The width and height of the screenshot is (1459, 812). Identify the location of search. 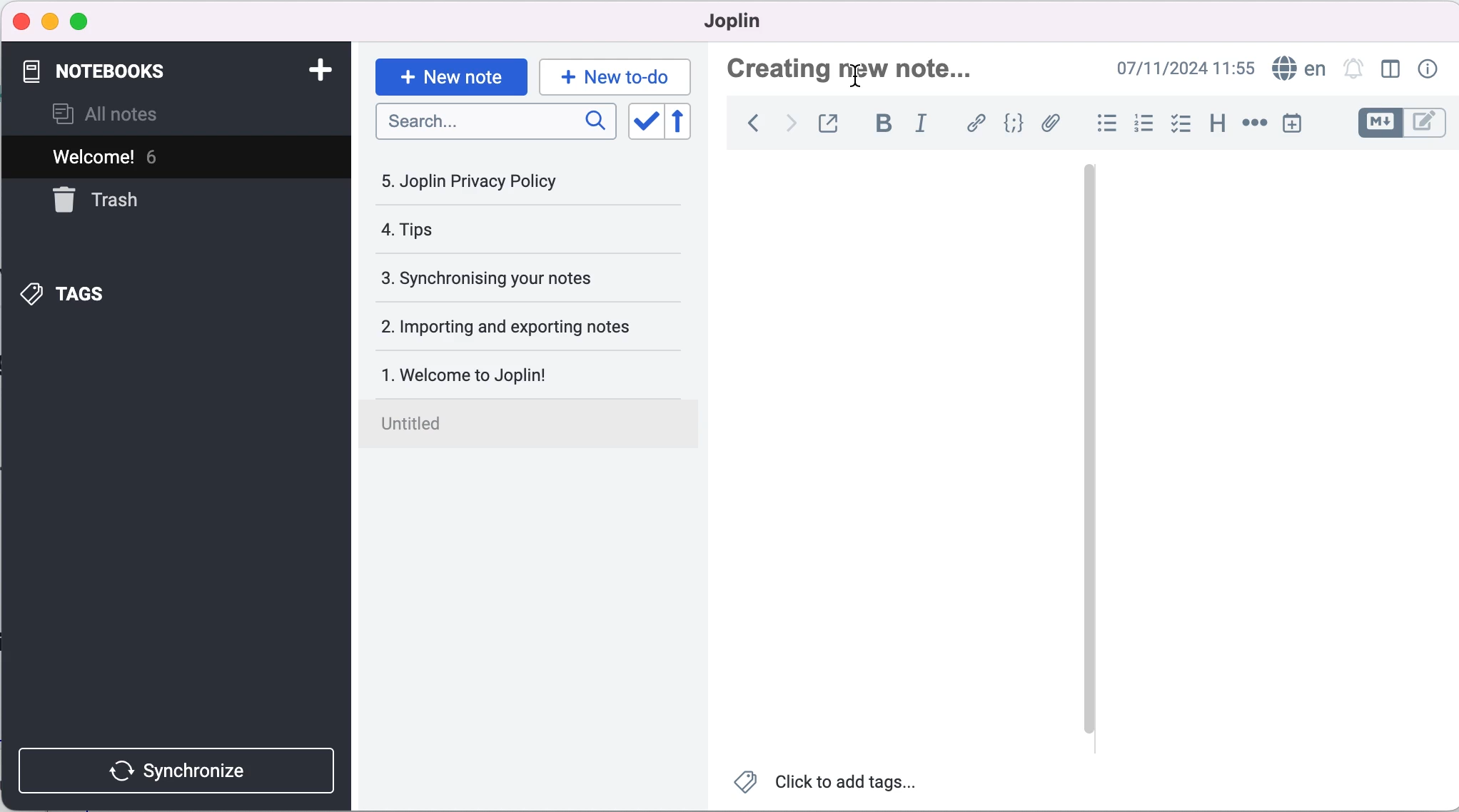
(497, 126).